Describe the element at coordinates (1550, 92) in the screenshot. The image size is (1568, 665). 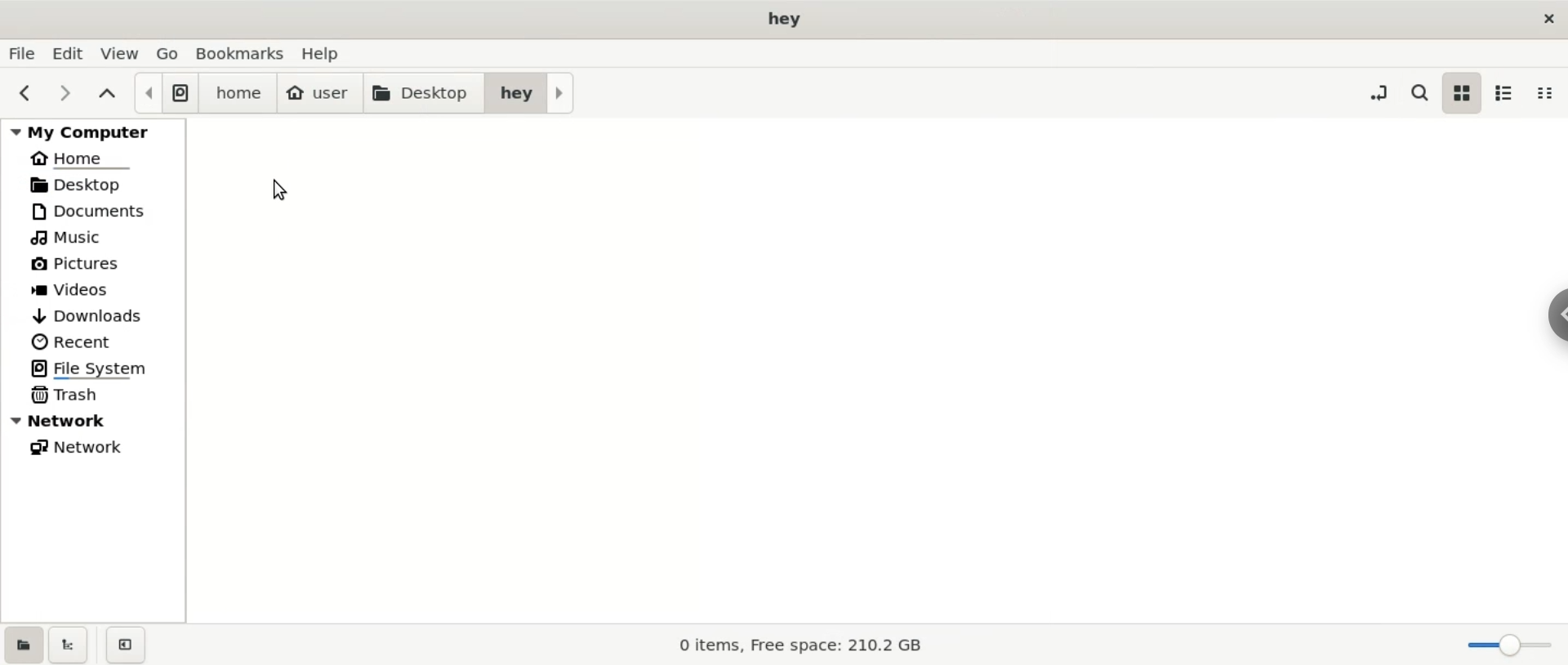
I see `compact view` at that location.